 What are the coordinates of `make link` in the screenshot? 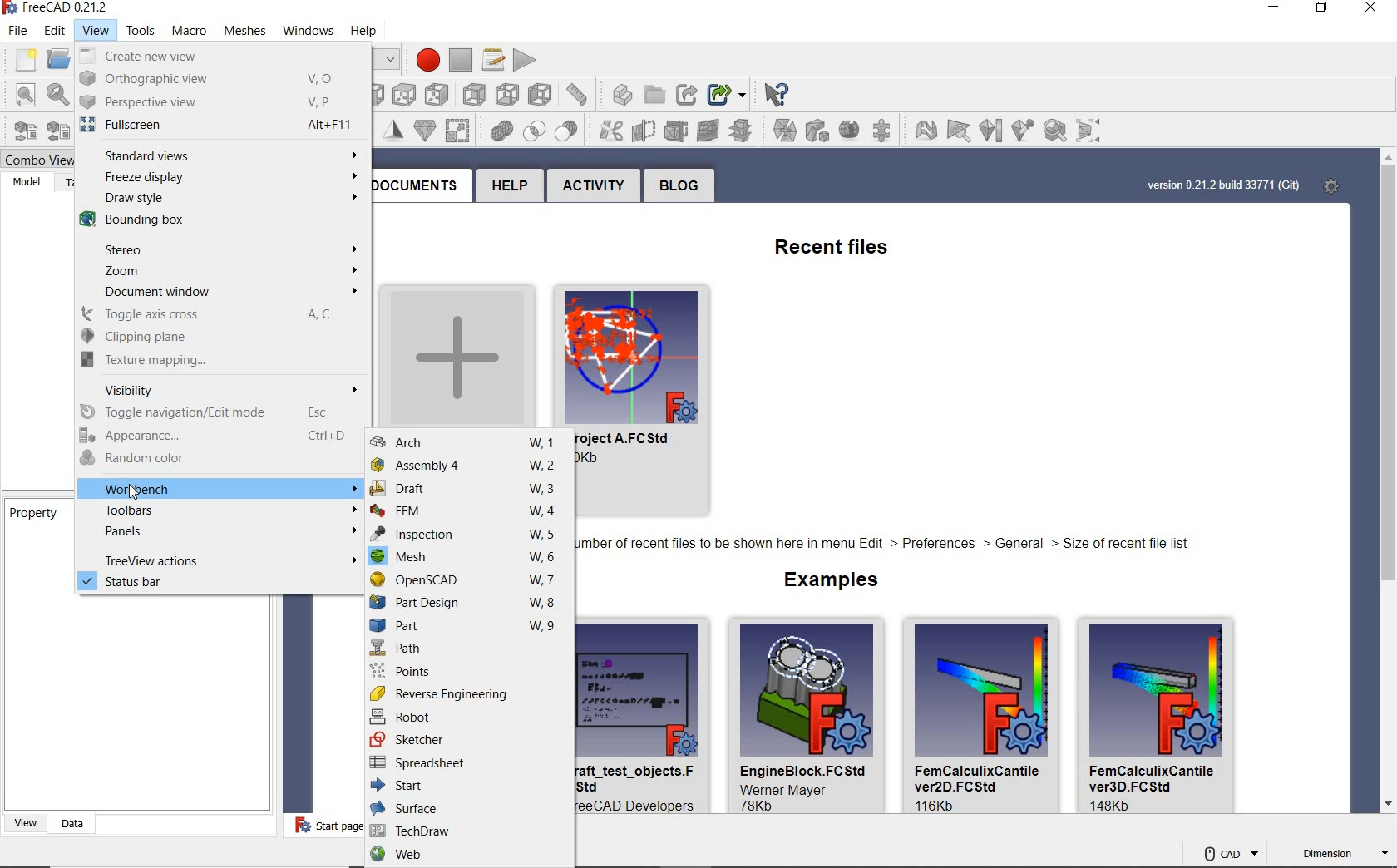 It's located at (659, 93).